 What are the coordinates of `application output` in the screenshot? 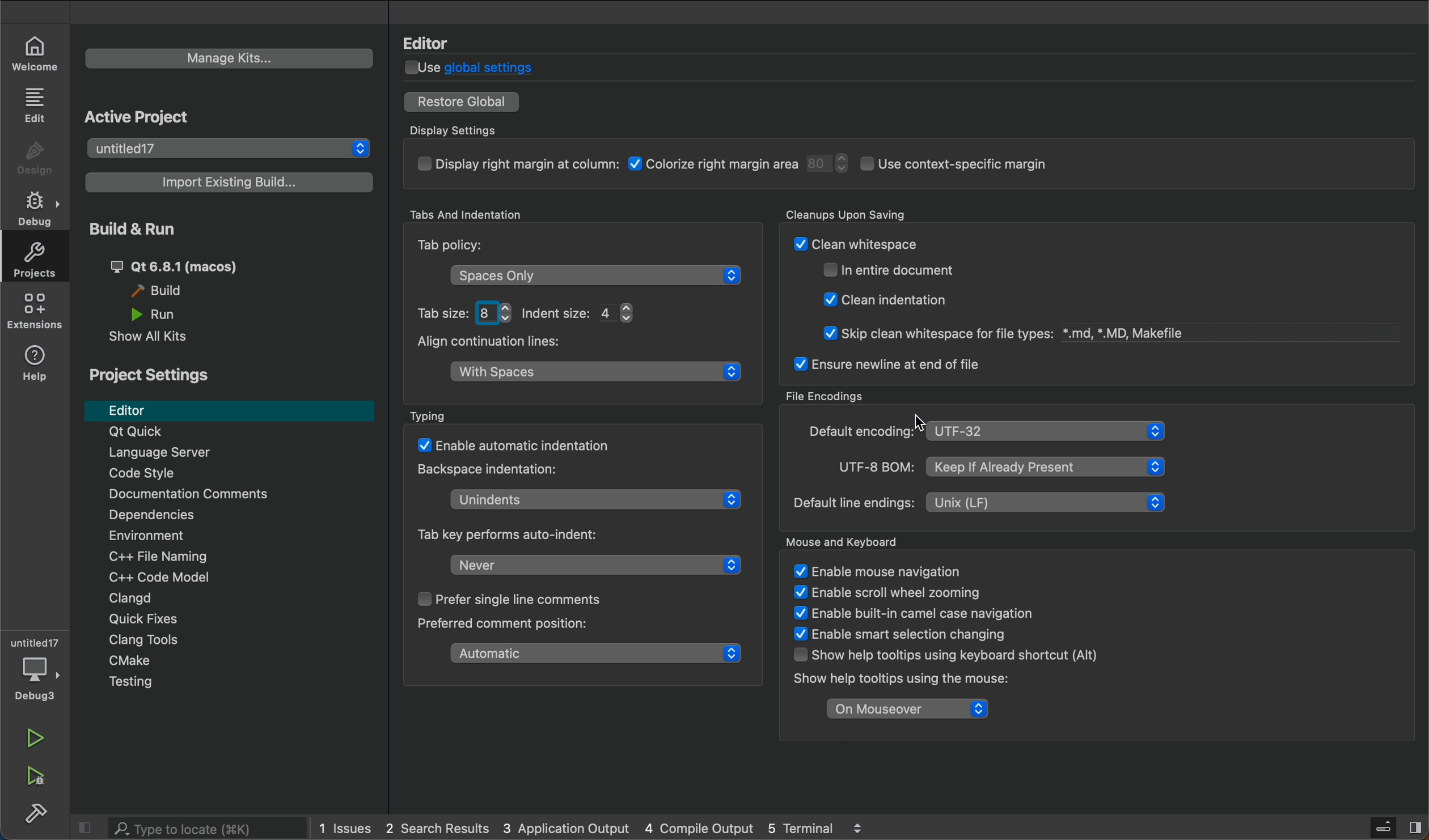 It's located at (566, 826).